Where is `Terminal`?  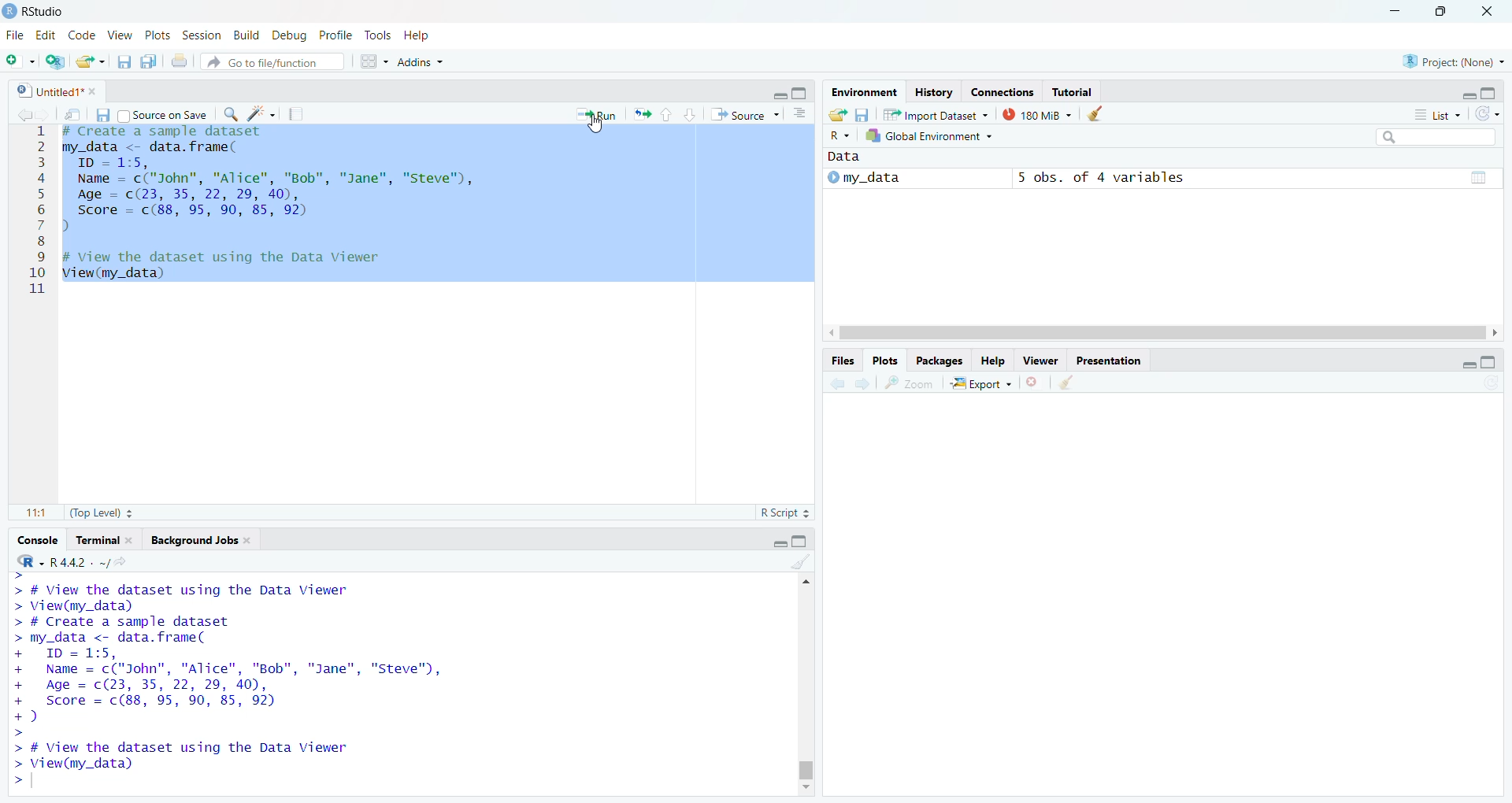
Terminal is located at coordinates (104, 539).